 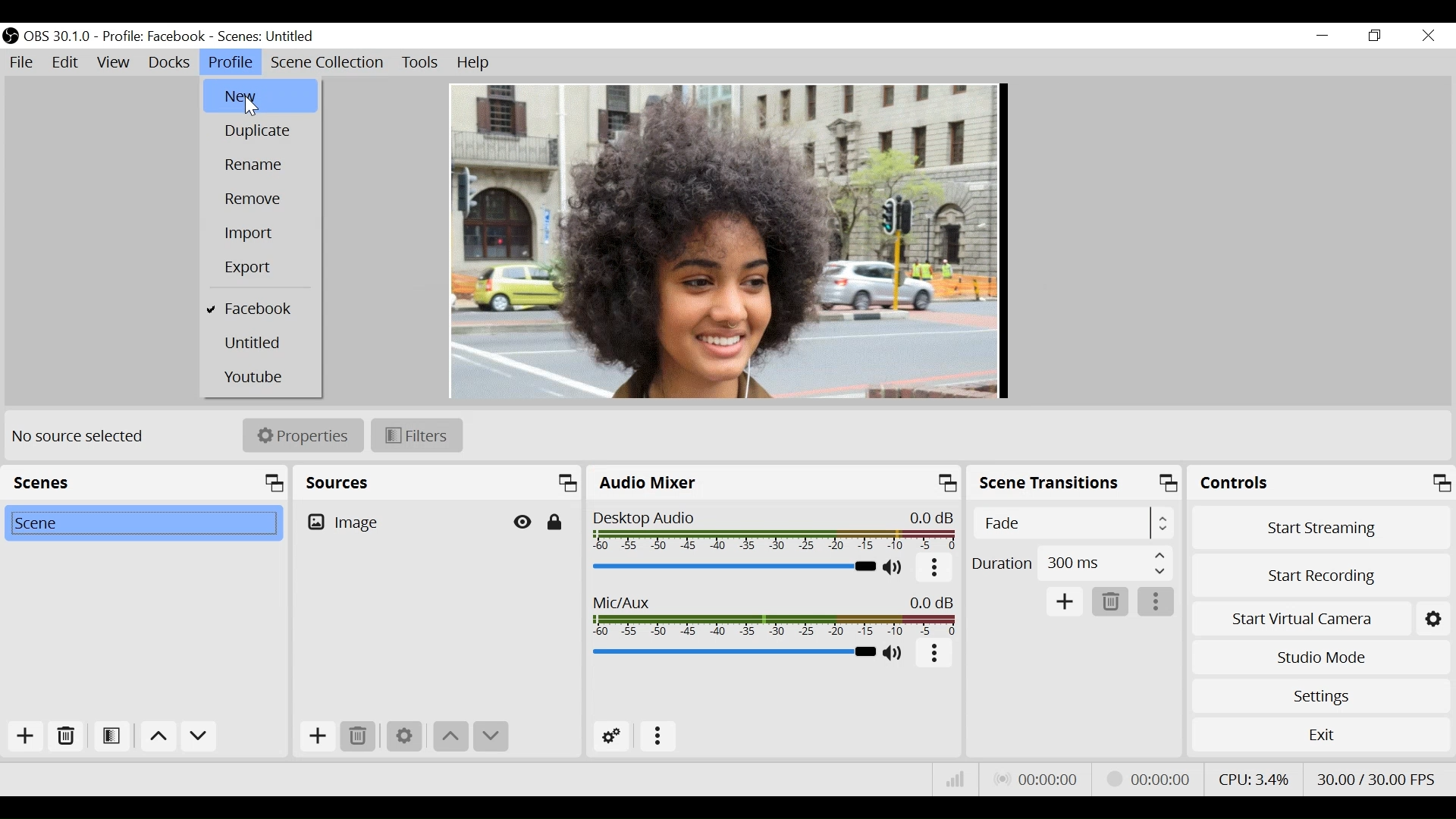 I want to click on Start Streaming, so click(x=1321, y=526).